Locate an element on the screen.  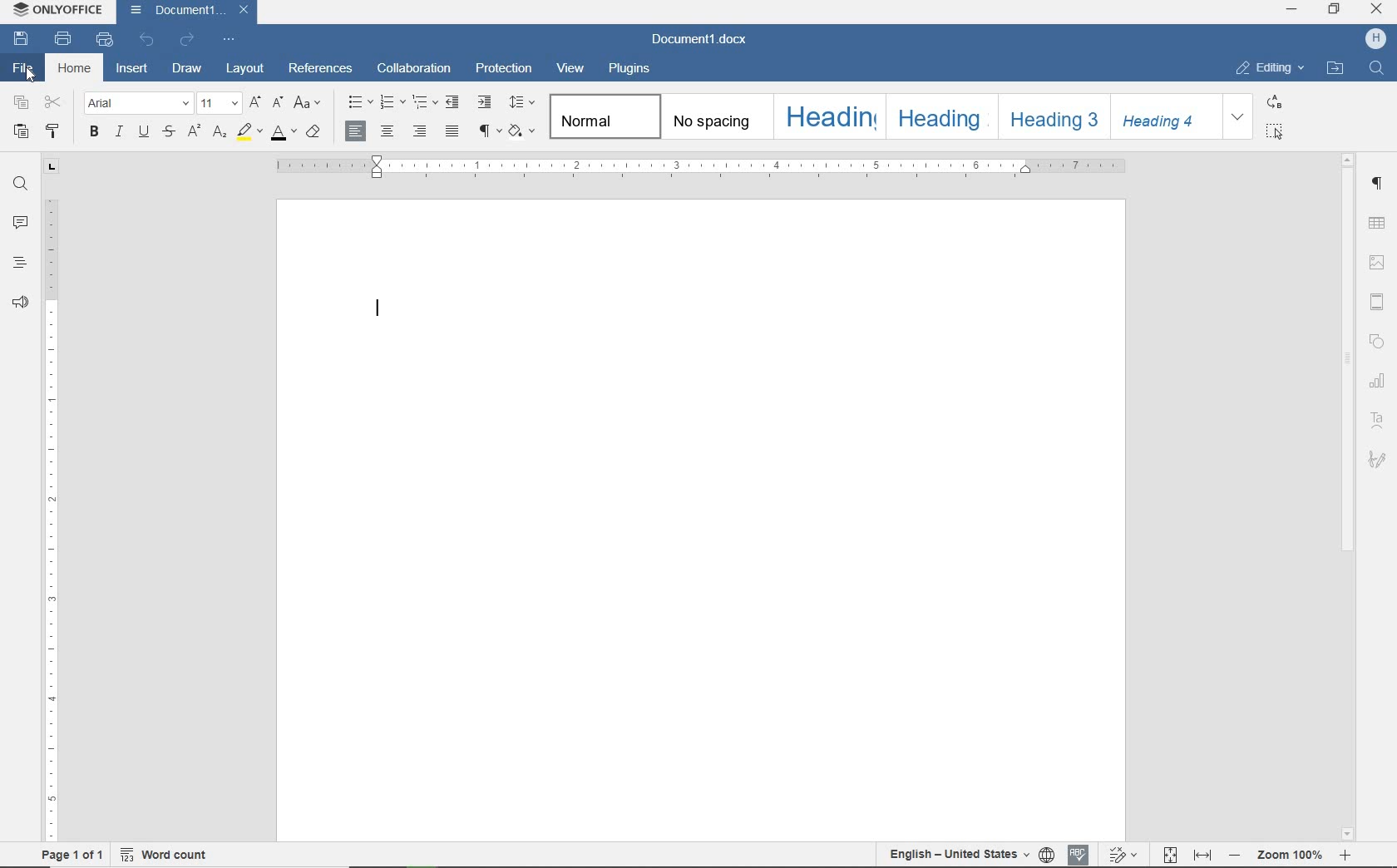
increase indent is located at coordinates (485, 102).